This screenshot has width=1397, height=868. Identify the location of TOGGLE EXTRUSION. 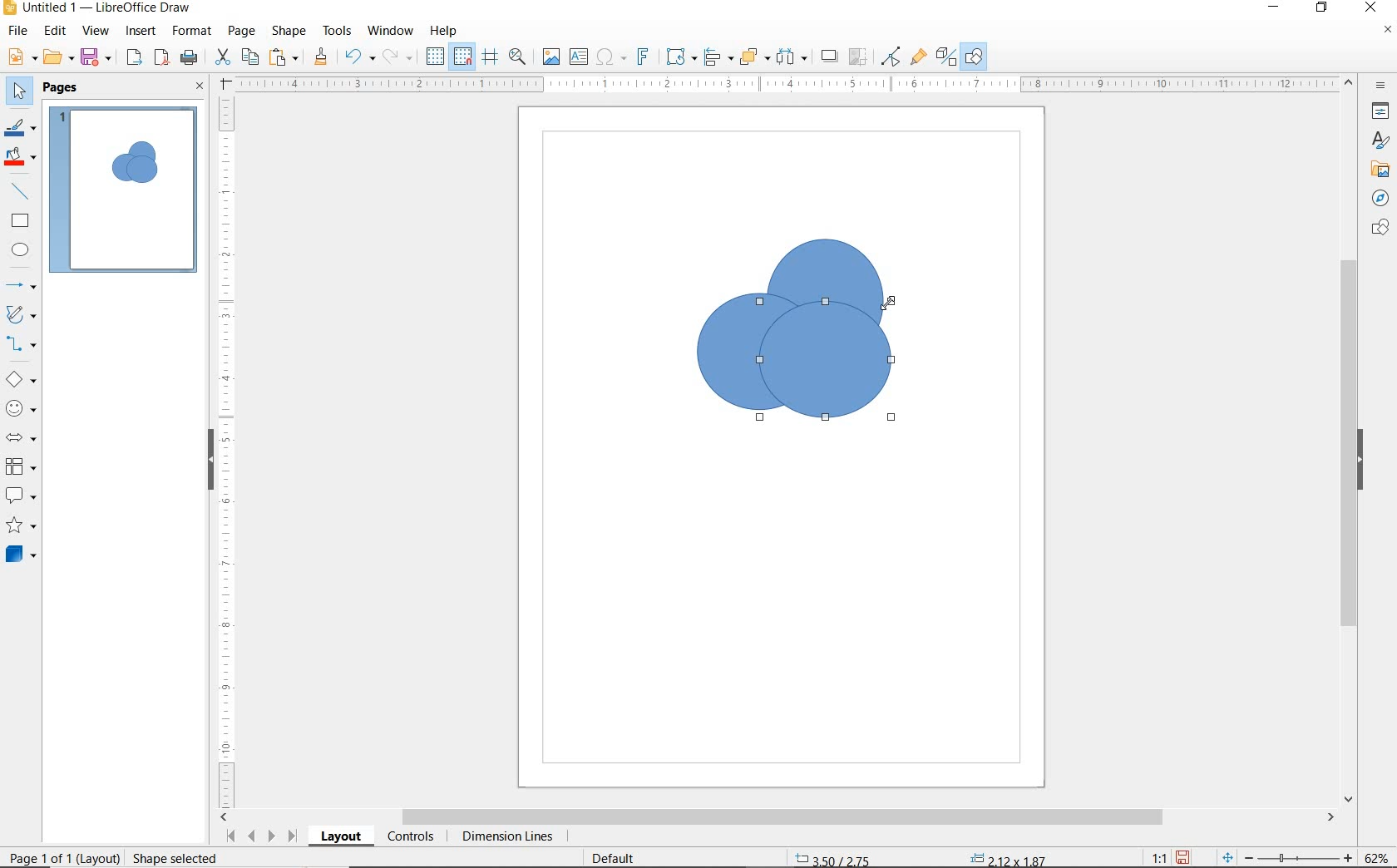
(946, 58).